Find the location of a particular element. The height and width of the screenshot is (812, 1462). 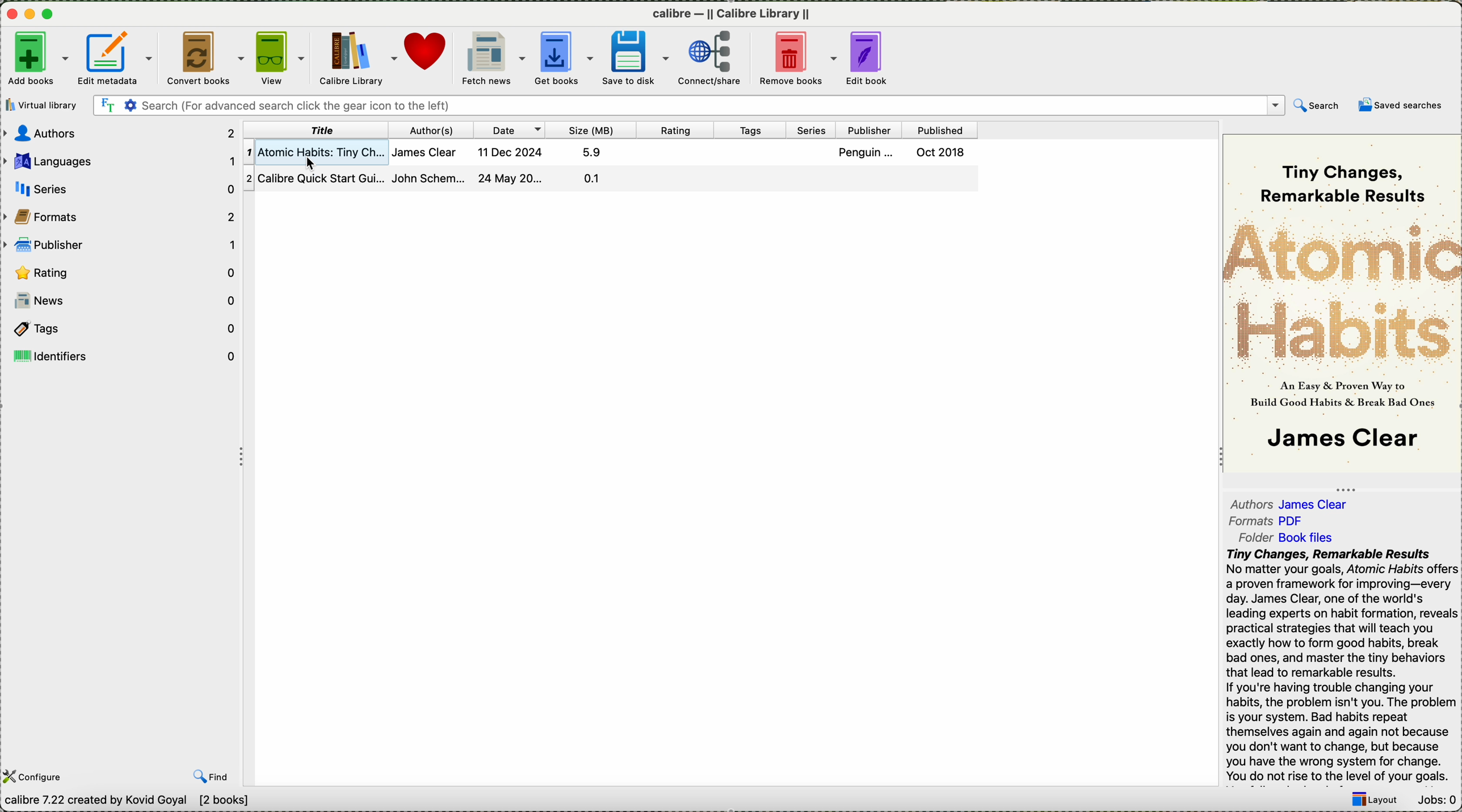

series is located at coordinates (812, 129).